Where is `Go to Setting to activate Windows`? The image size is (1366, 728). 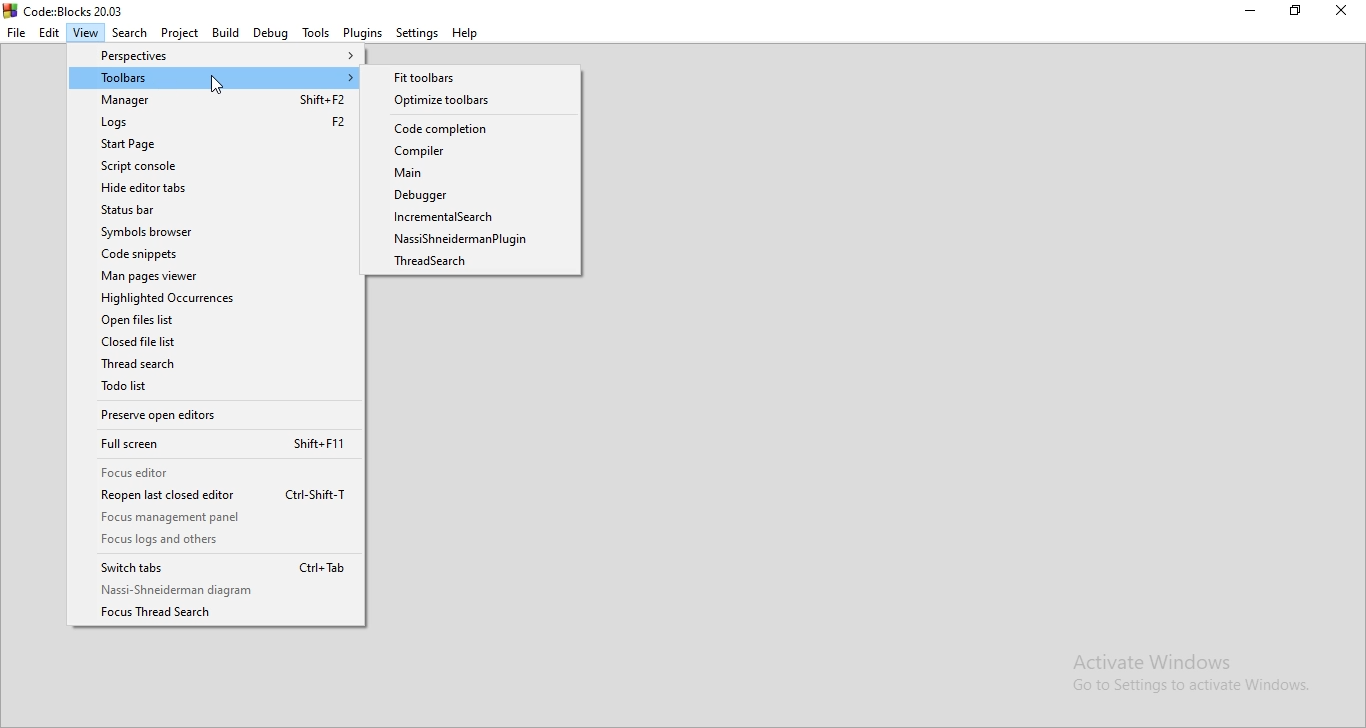
Go to Setting to activate Windows is located at coordinates (1189, 688).